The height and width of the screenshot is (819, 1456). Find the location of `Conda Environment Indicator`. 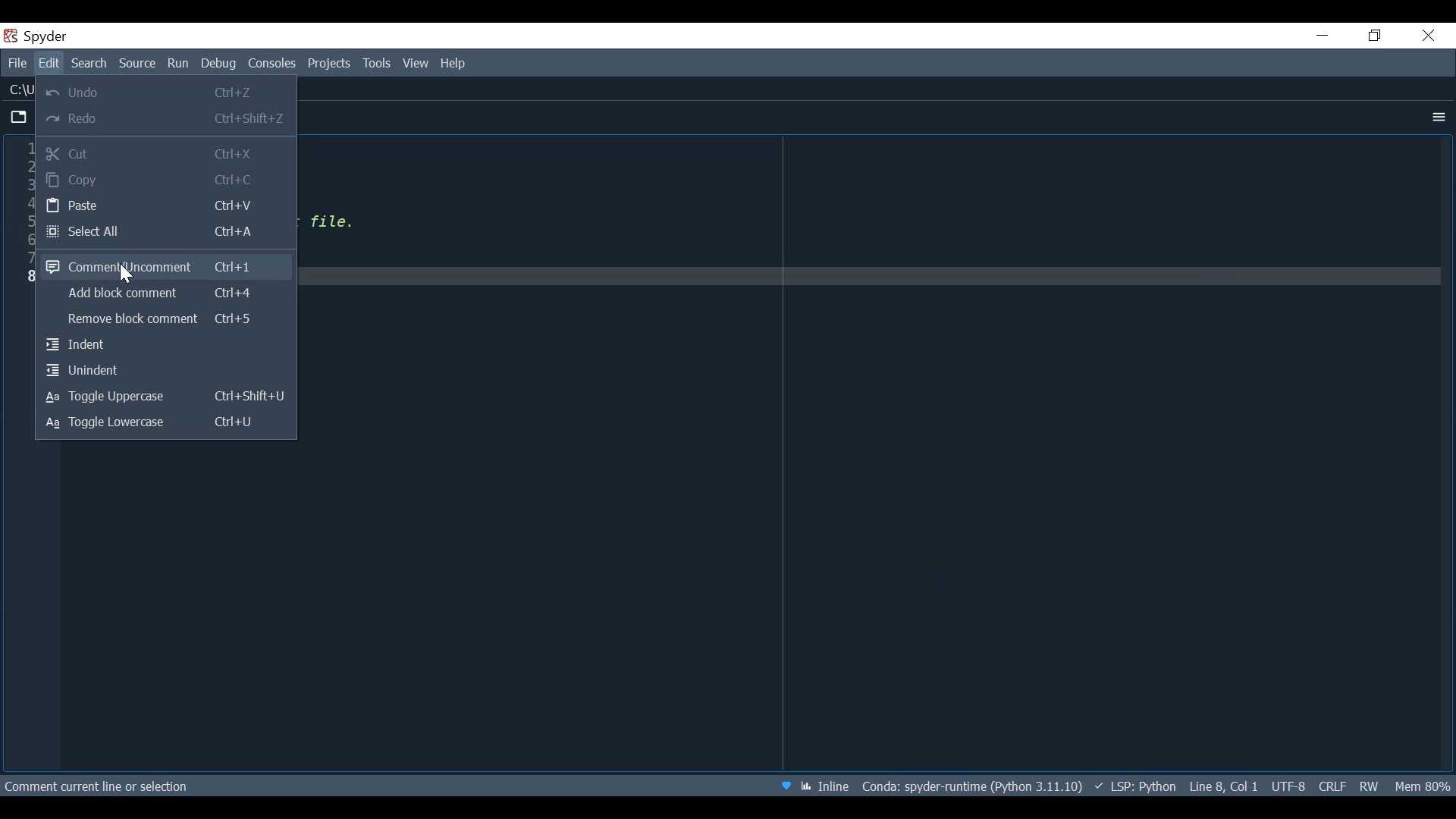

Conda Environment Indicator is located at coordinates (971, 786).